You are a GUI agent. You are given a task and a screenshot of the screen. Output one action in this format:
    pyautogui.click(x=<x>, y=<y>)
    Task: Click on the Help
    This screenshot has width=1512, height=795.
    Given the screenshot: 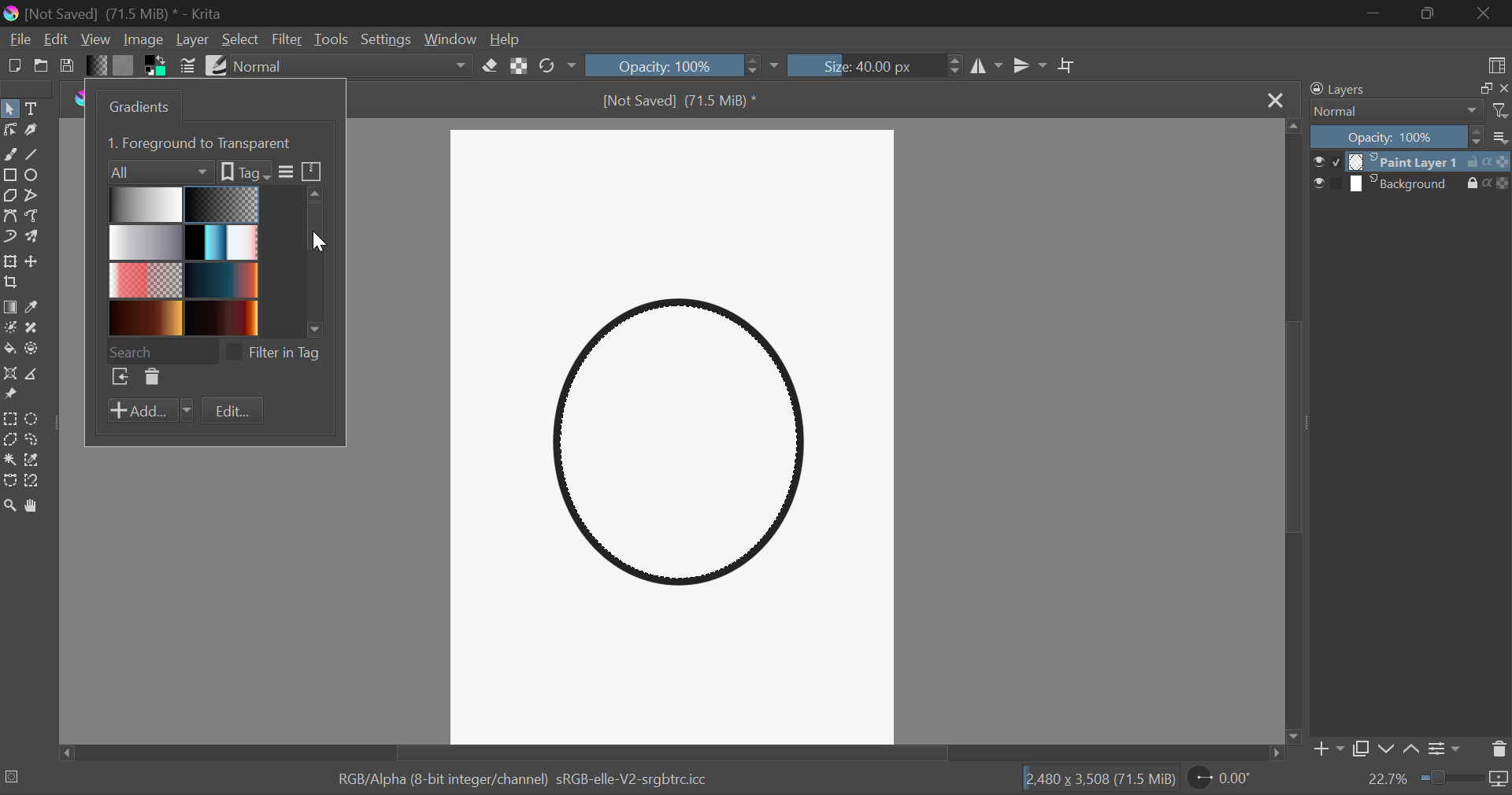 What is the action you would take?
    pyautogui.click(x=509, y=39)
    